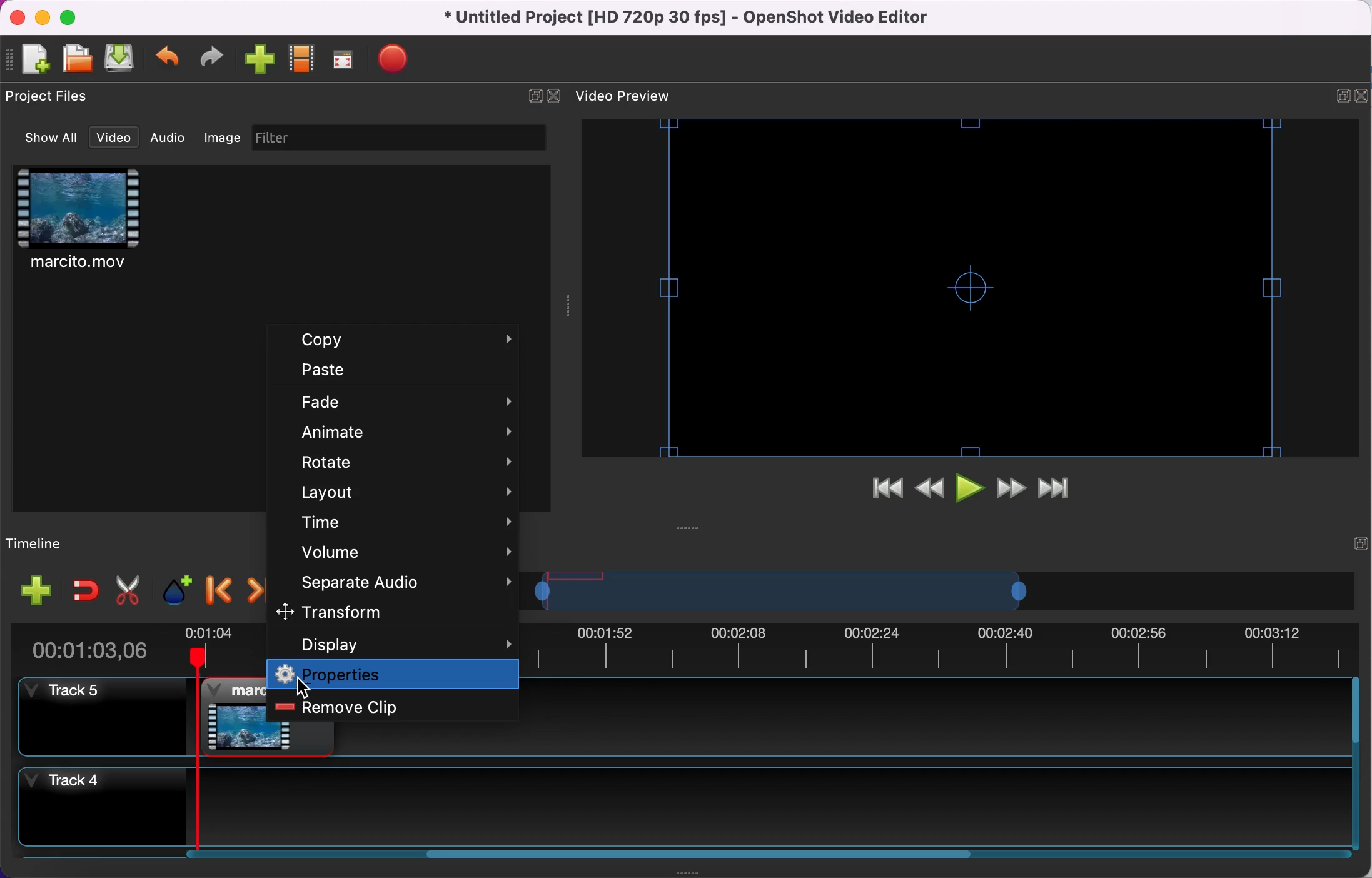 The width and height of the screenshot is (1372, 878). What do you see at coordinates (42, 17) in the screenshot?
I see `minimize` at bounding box center [42, 17].